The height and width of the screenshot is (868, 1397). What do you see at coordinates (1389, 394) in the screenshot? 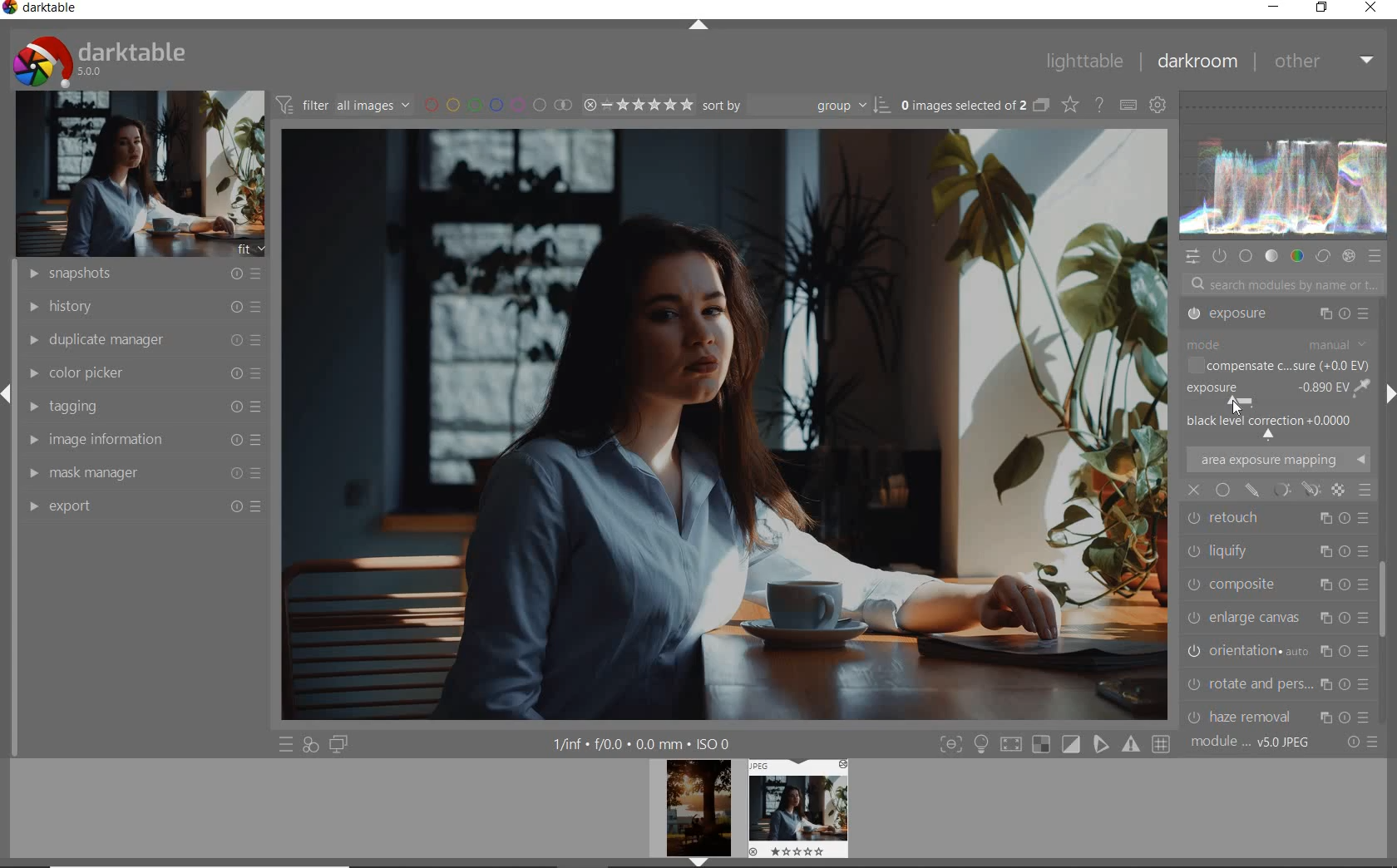
I see `EXPAND/COLLAPSE` at bounding box center [1389, 394].